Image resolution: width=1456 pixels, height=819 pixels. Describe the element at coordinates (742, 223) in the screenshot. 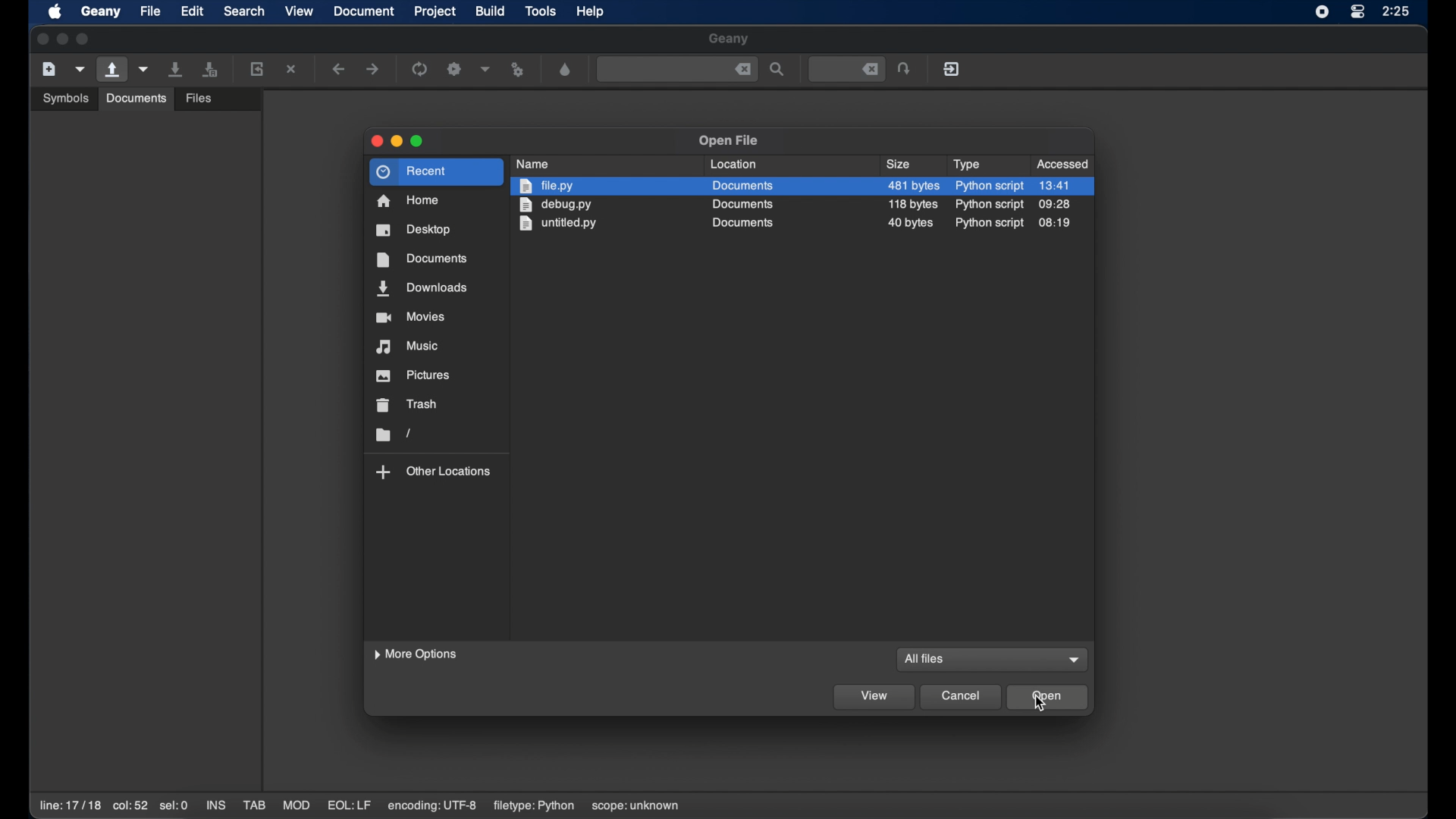

I see `documents` at that location.